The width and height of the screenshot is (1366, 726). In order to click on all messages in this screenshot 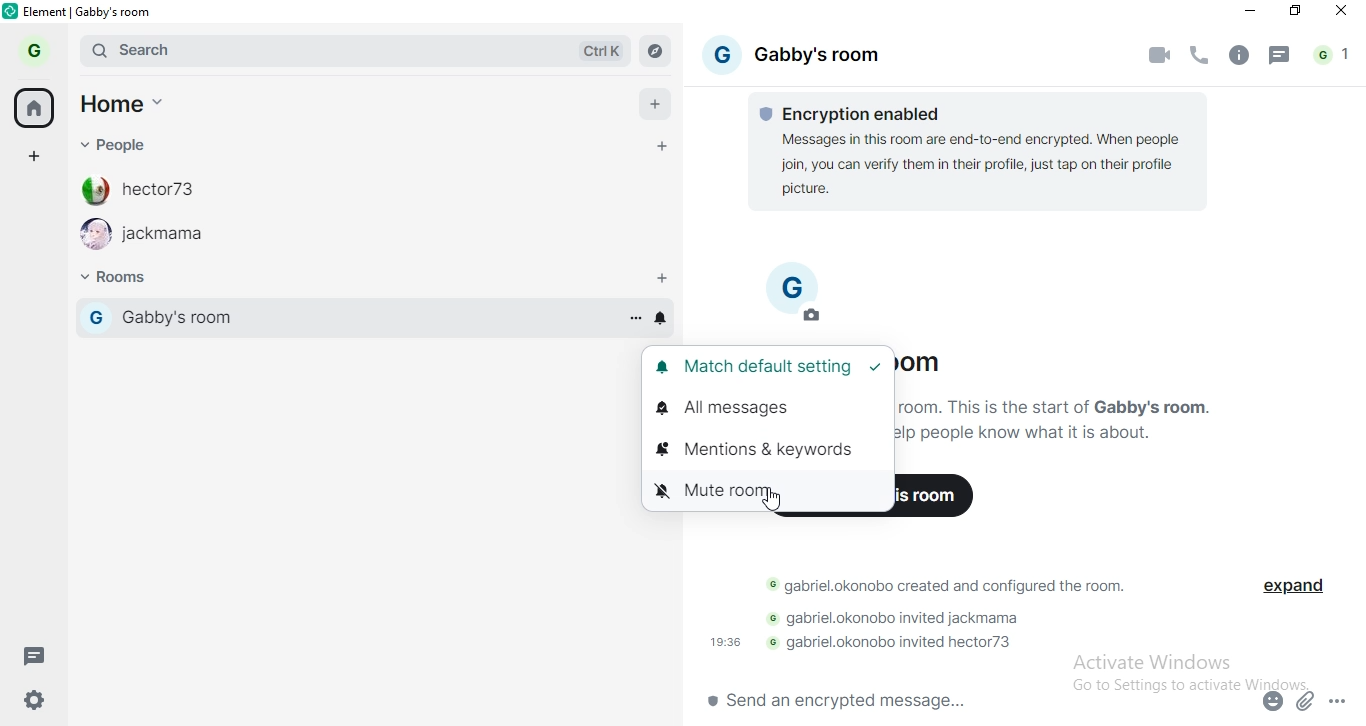, I will do `click(766, 414)`.